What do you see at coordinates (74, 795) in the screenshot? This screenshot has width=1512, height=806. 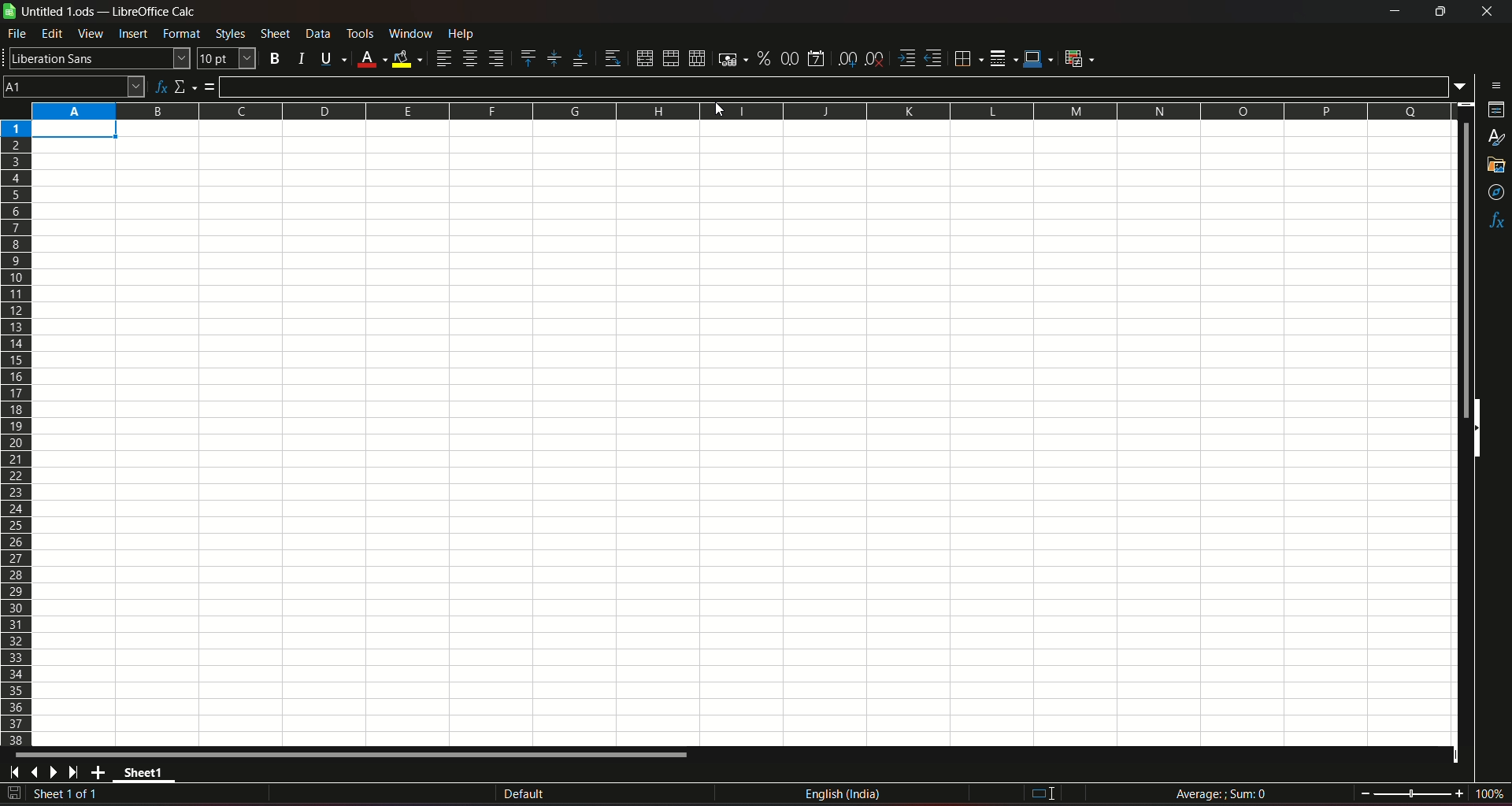 I see `sheet number` at bounding box center [74, 795].